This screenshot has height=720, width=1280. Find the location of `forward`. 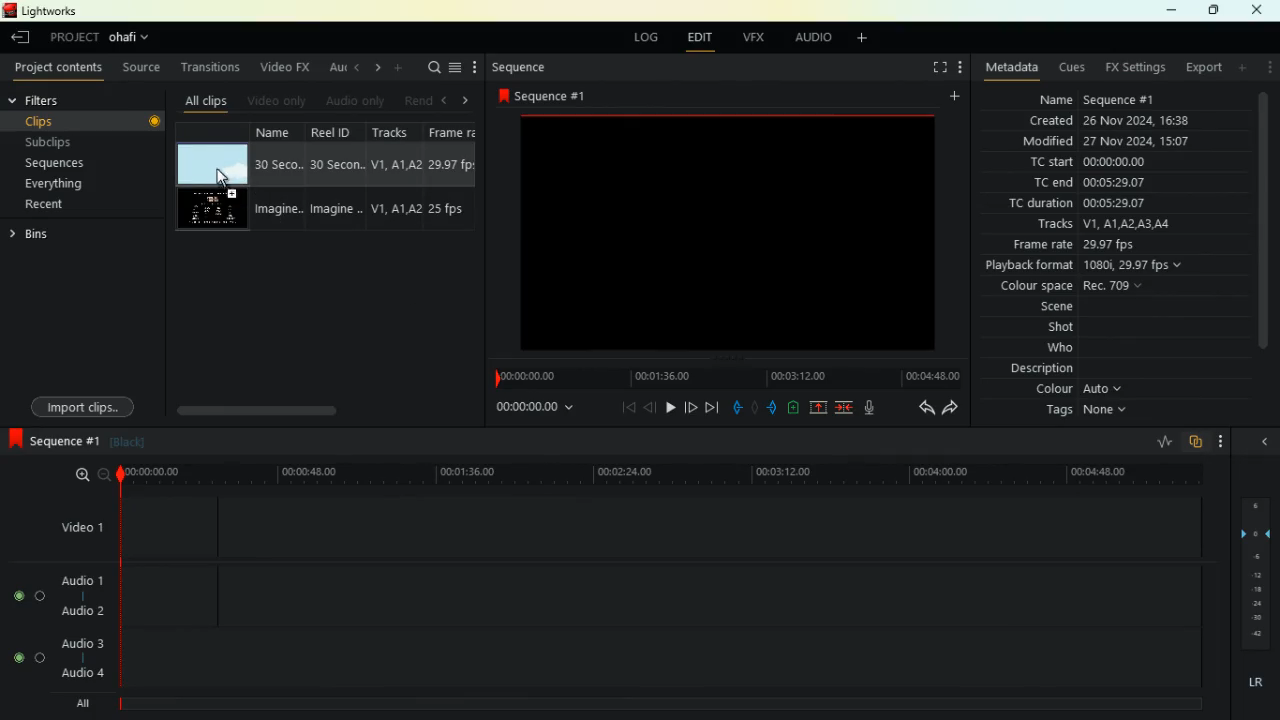

forward is located at coordinates (693, 407).